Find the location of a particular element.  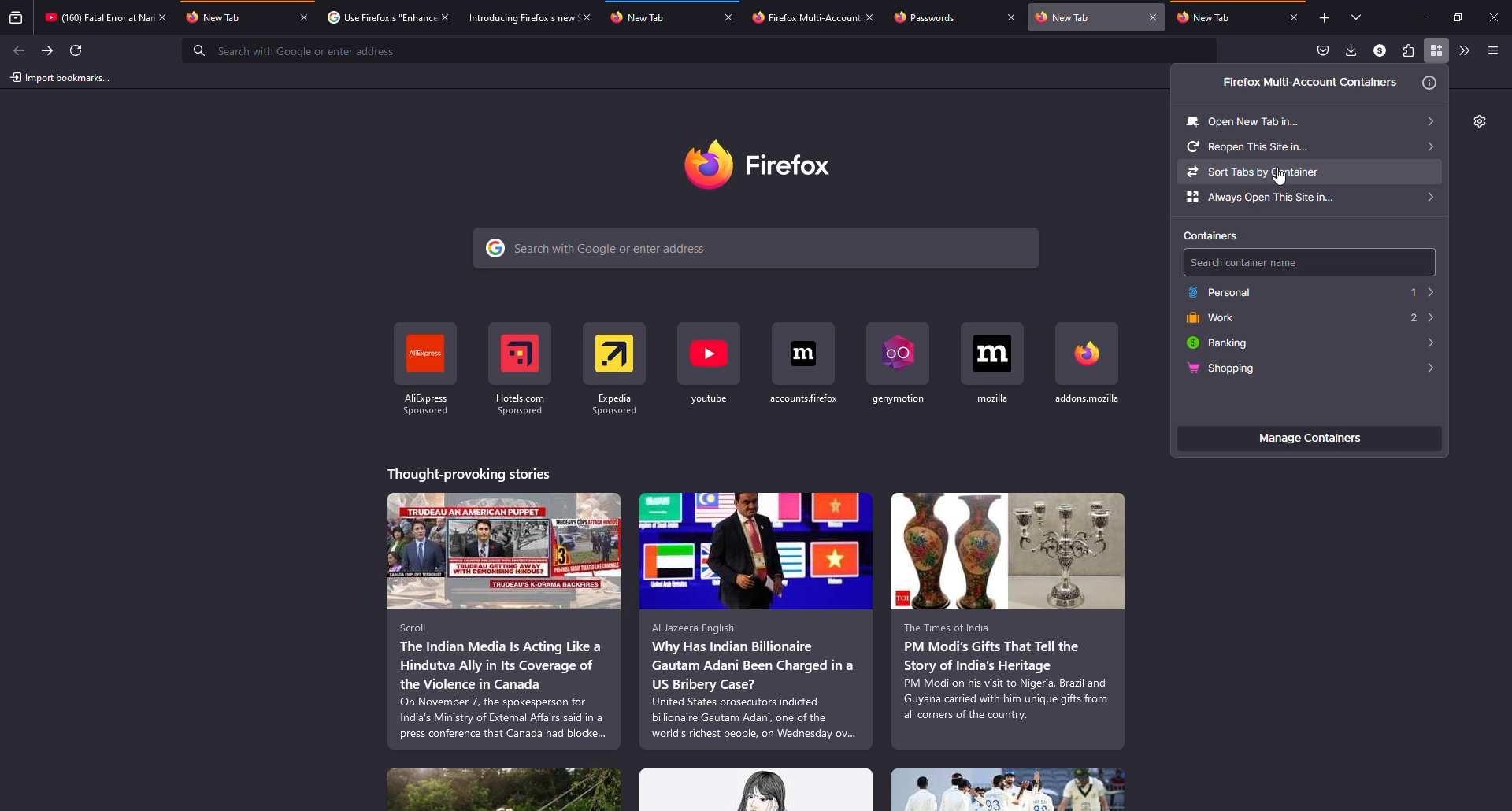

manage containers is located at coordinates (1309, 439).